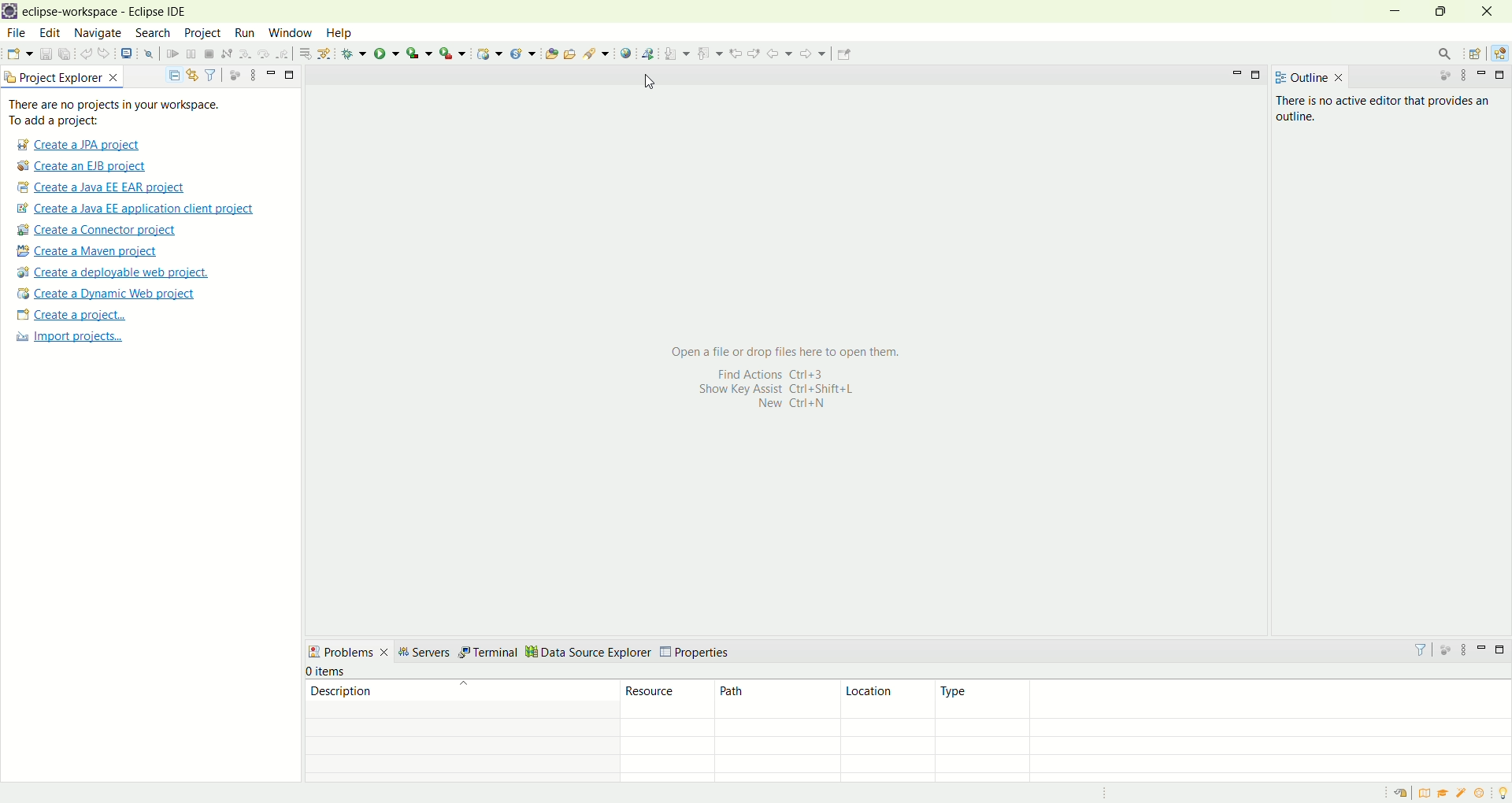  Describe the element at coordinates (1462, 653) in the screenshot. I see `view menu` at that location.